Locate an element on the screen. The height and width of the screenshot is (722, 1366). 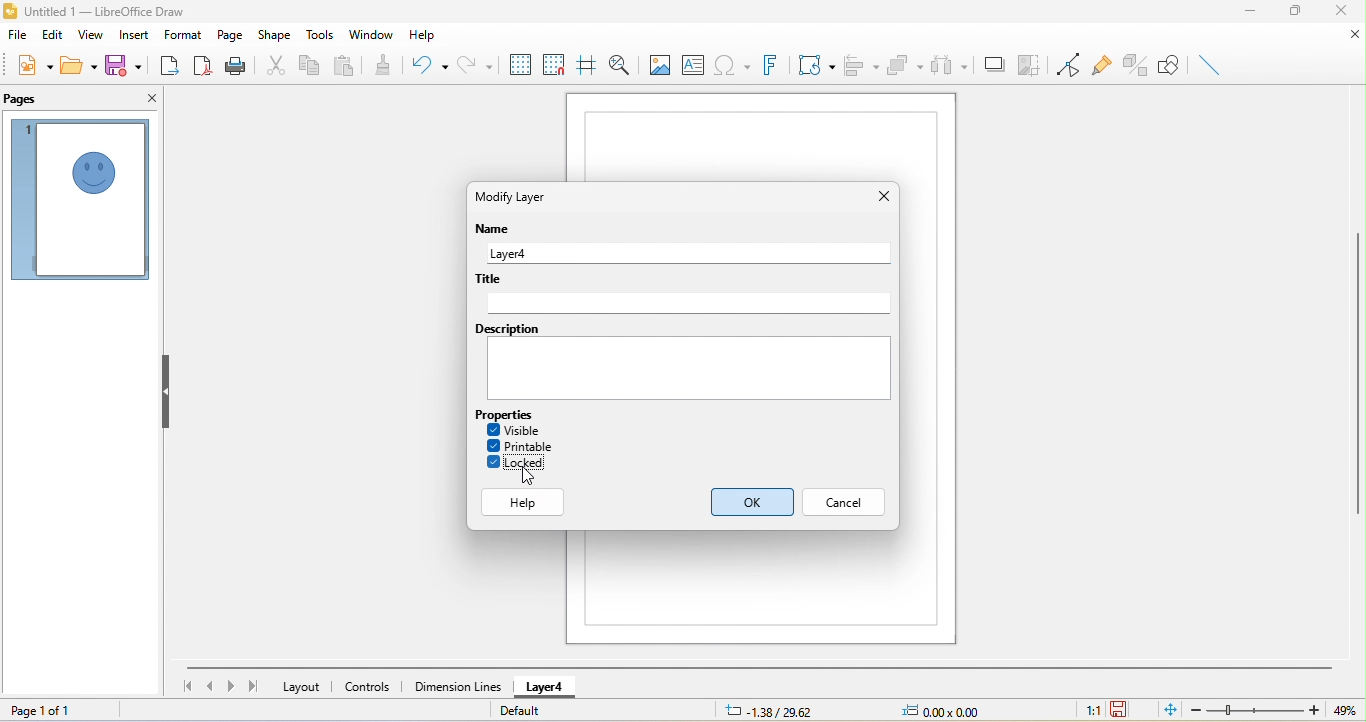
transformation is located at coordinates (817, 64).